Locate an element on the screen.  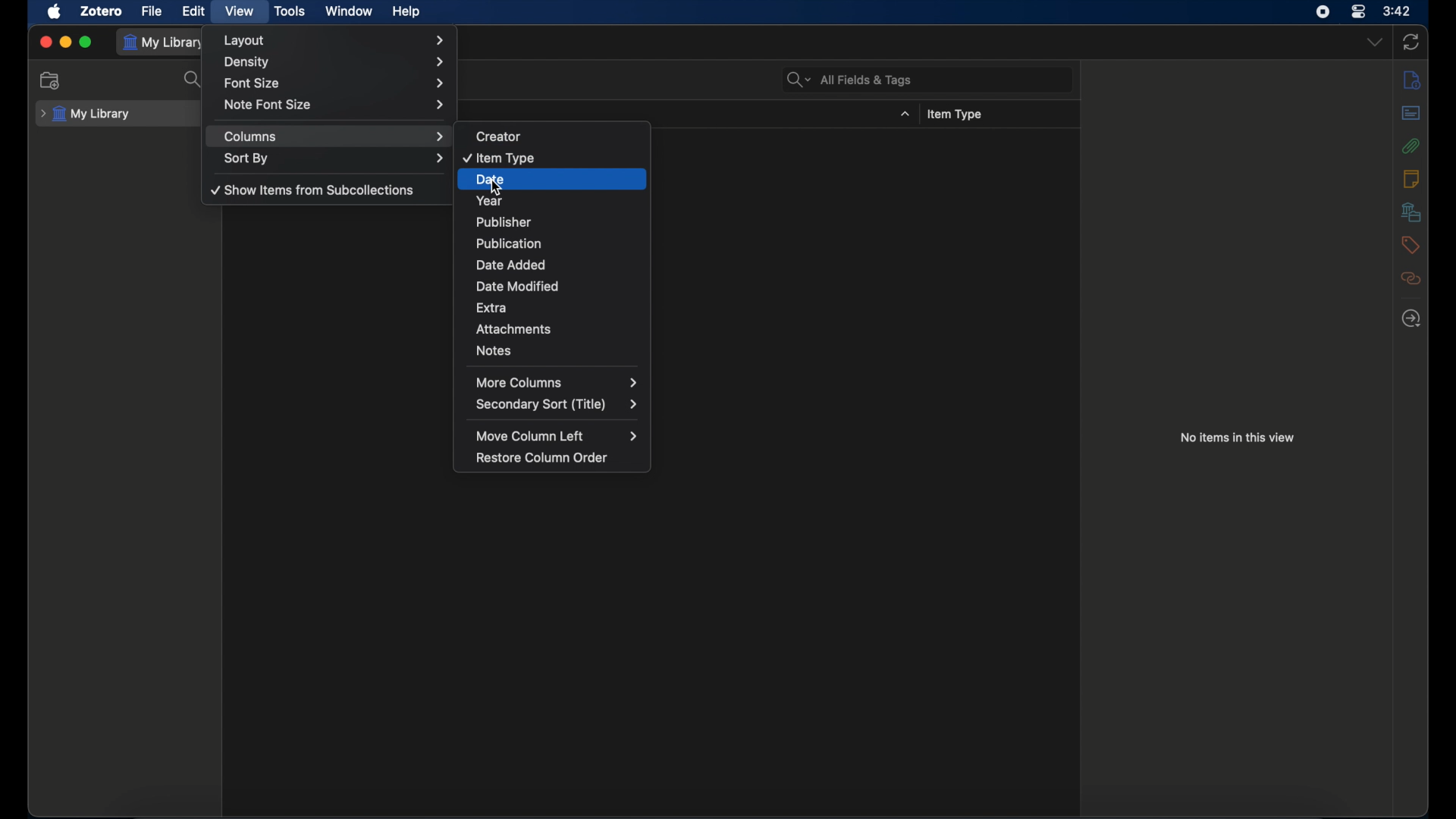
sync is located at coordinates (1411, 42).